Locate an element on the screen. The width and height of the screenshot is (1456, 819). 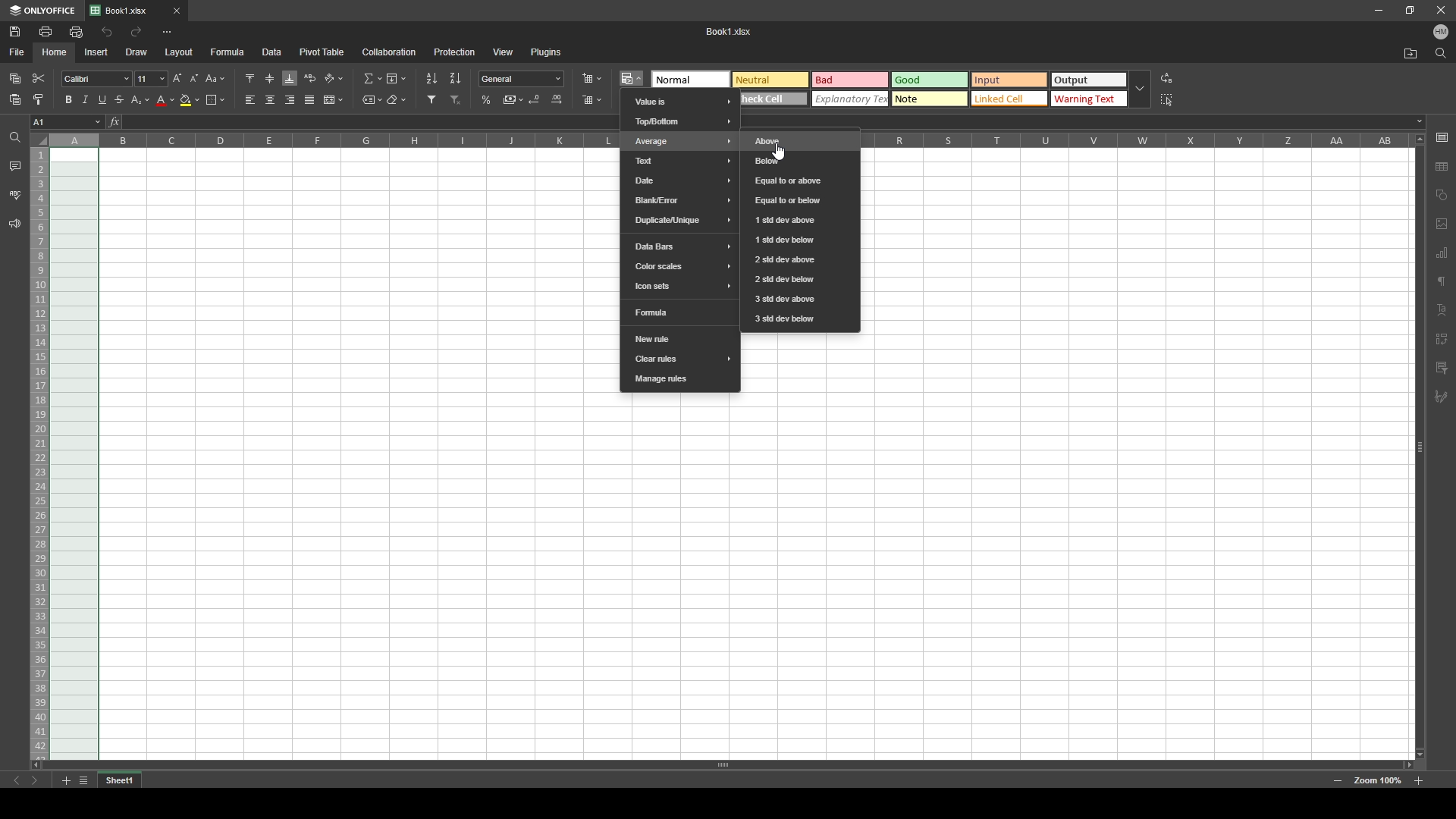
align bottom is located at coordinates (290, 78).